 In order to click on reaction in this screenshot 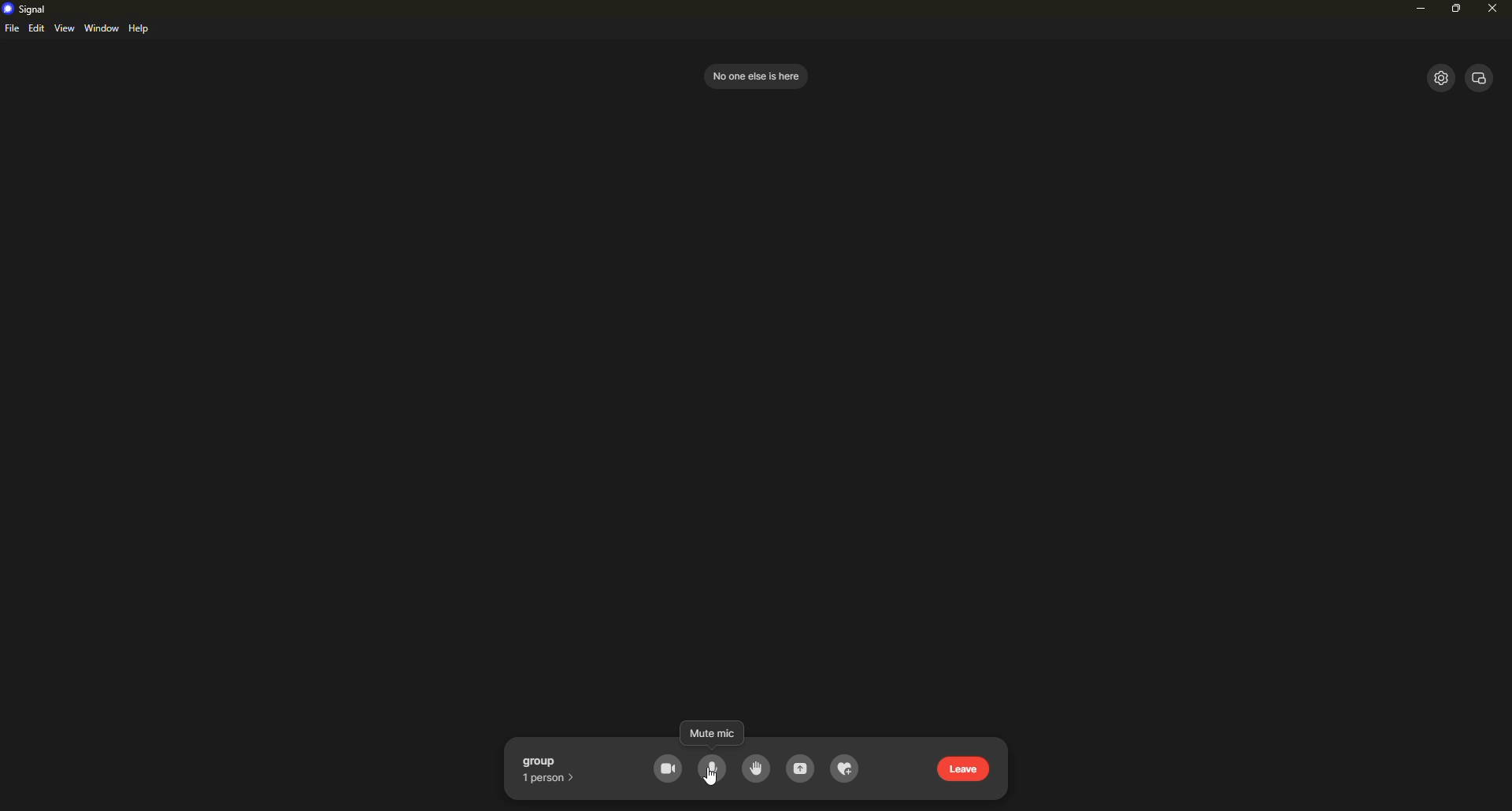, I will do `click(846, 770)`.